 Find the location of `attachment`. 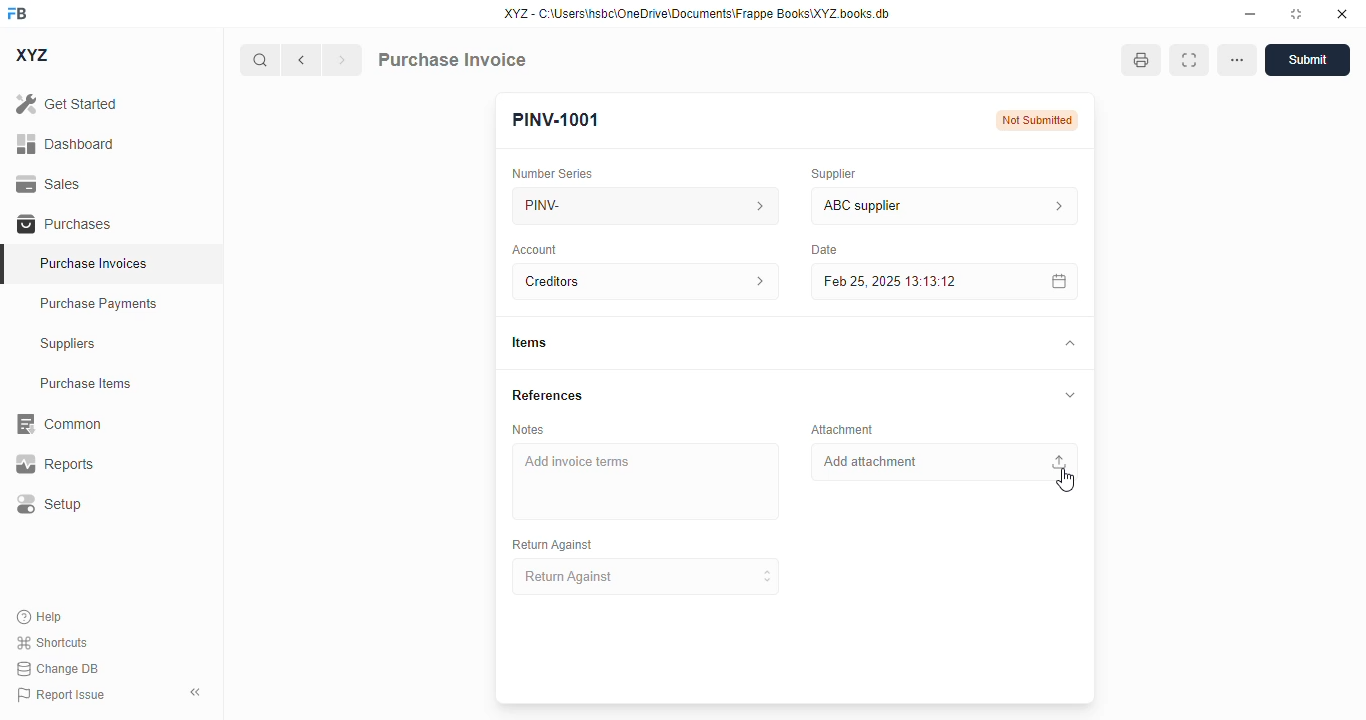

attachment is located at coordinates (842, 429).